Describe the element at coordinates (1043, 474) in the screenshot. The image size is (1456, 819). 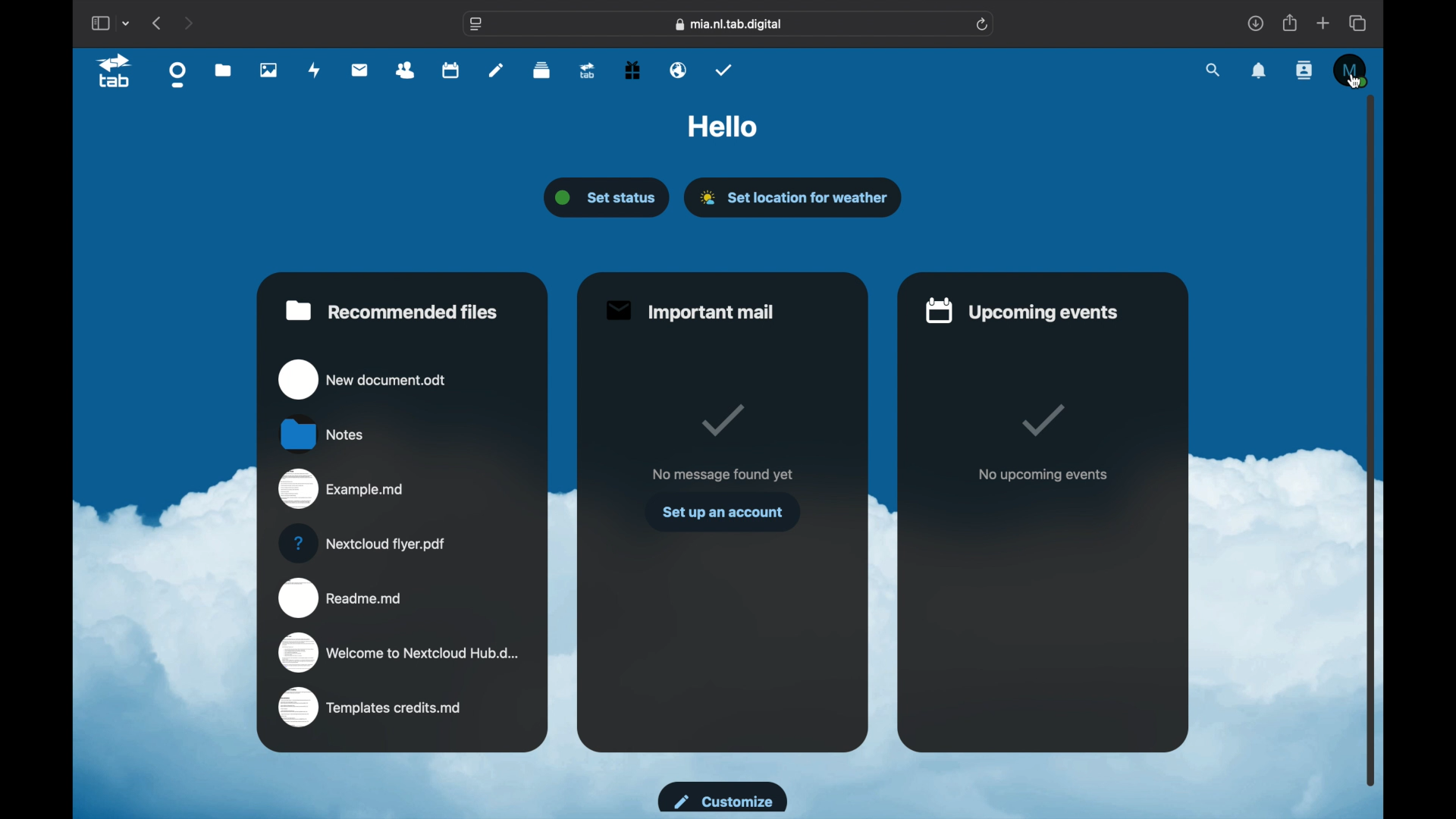
I see `no upcoming events` at that location.